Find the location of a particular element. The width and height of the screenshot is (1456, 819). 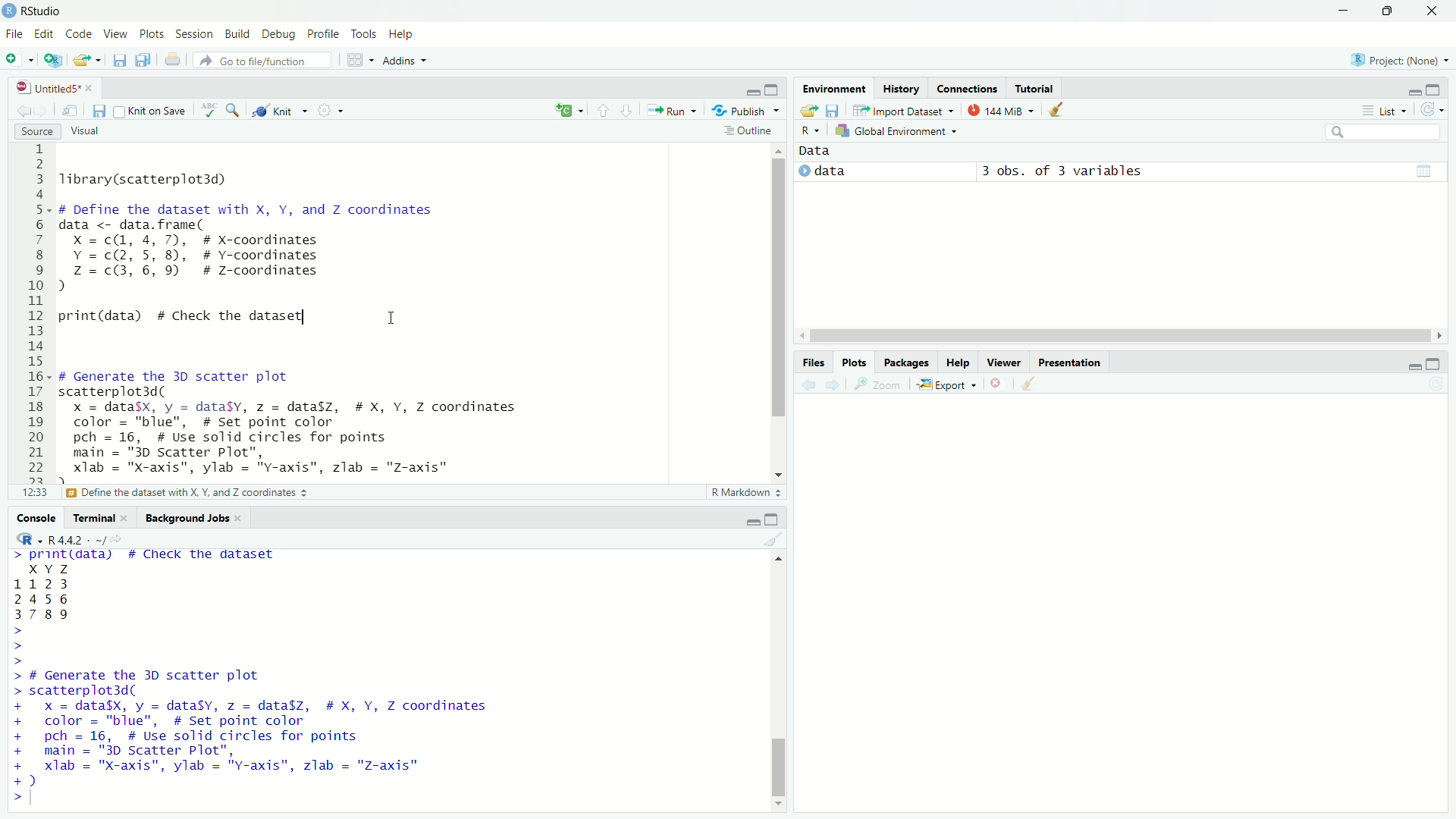

new file is located at coordinates (17, 60).